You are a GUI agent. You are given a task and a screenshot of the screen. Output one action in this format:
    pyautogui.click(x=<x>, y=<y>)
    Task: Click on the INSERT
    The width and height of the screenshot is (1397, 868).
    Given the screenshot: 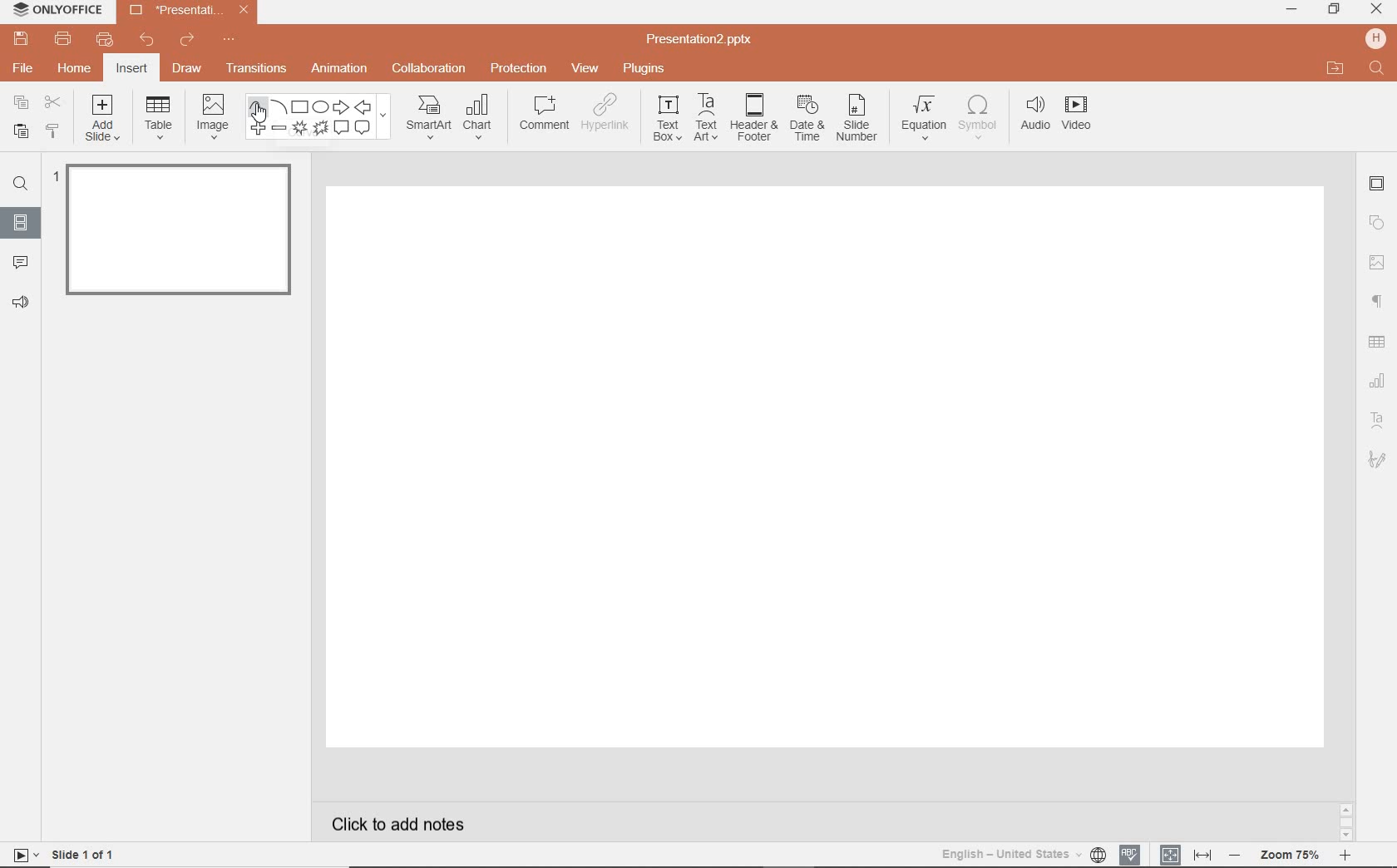 What is the action you would take?
    pyautogui.click(x=132, y=69)
    